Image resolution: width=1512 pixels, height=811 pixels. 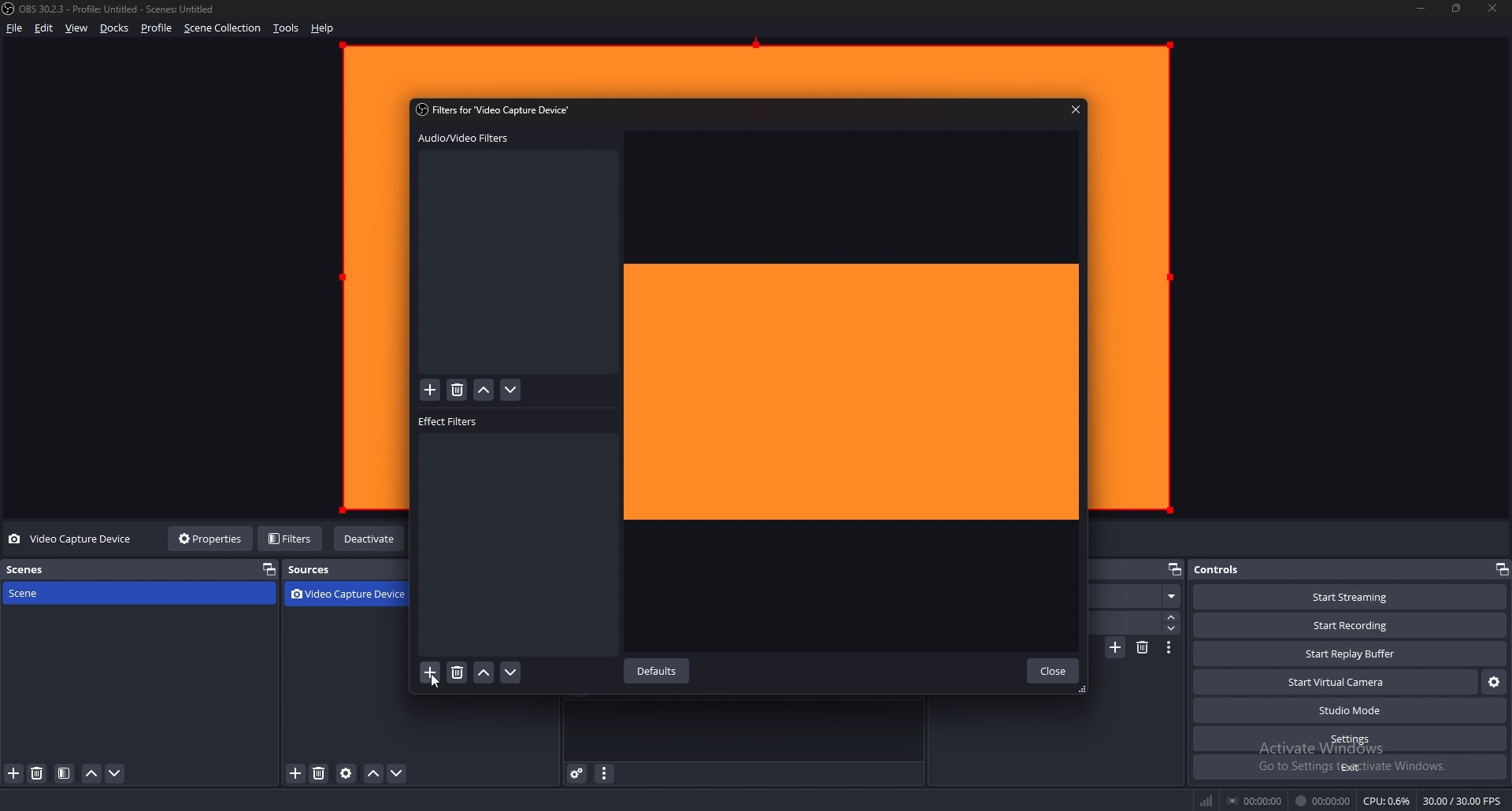 I want to click on start replay buffer, so click(x=1351, y=653).